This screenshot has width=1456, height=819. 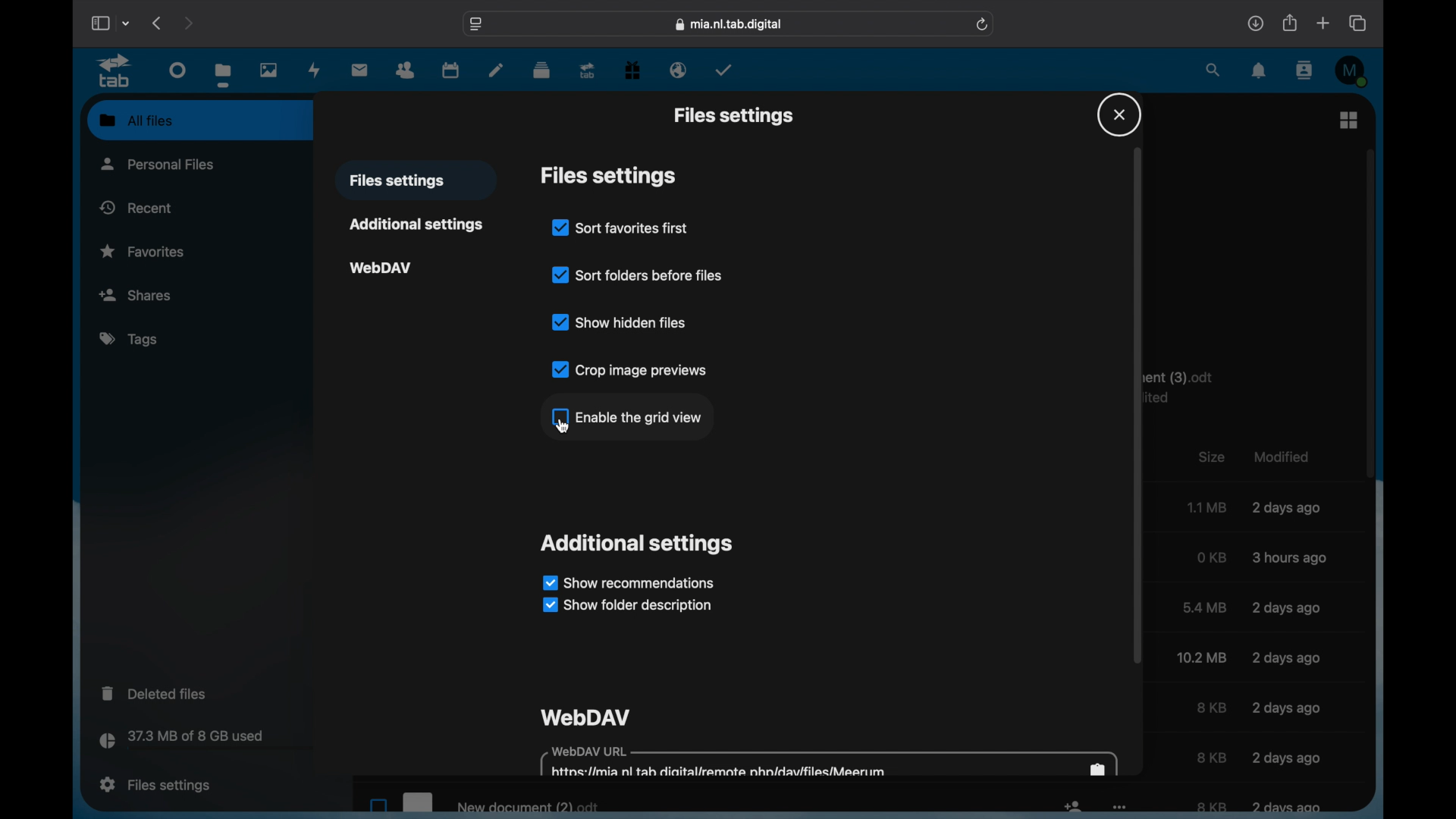 I want to click on modified, so click(x=1287, y=807).